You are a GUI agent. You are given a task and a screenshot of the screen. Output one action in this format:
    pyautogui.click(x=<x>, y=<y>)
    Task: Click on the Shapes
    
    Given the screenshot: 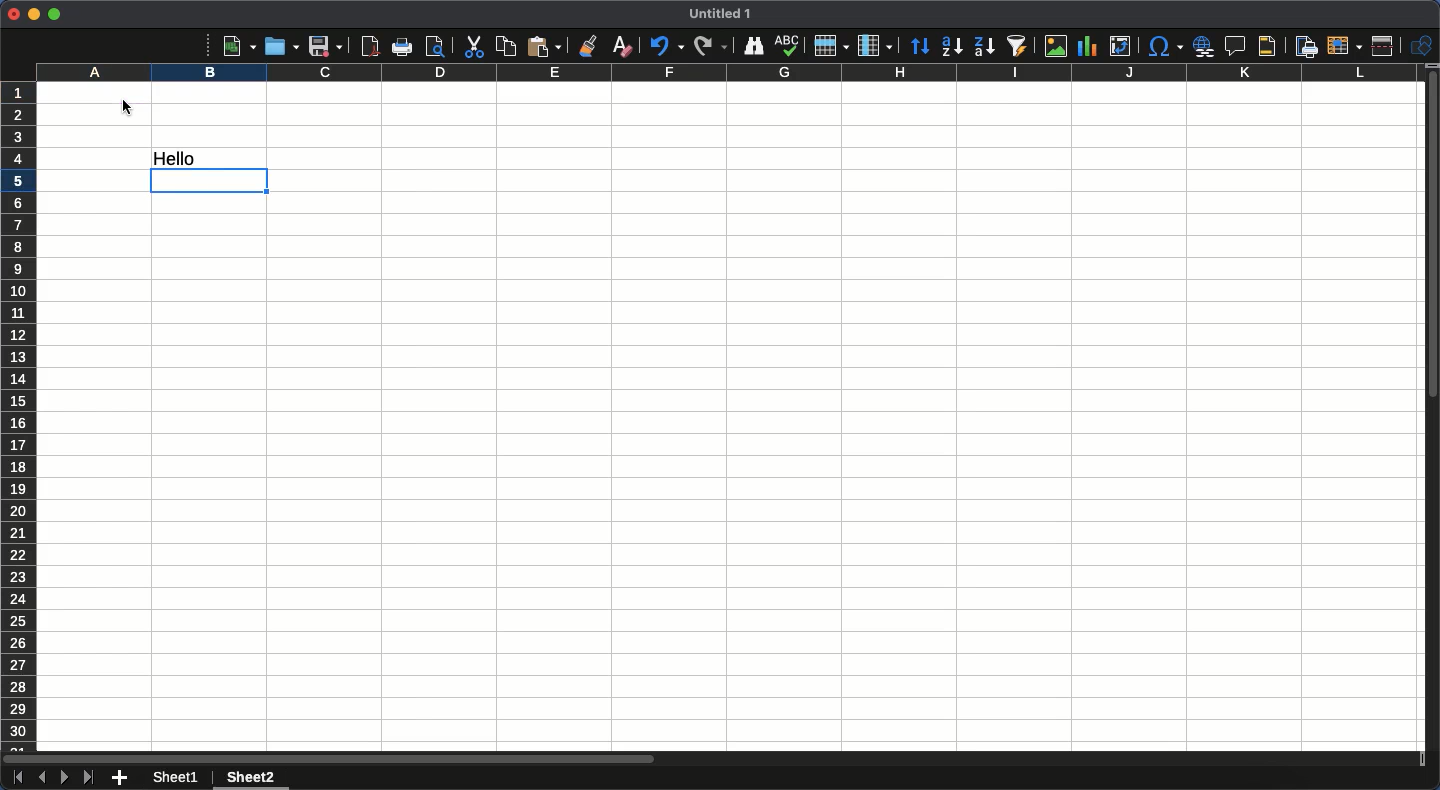 What is the action you would take?
    pyautogui.click(x=1424, y=46)
    